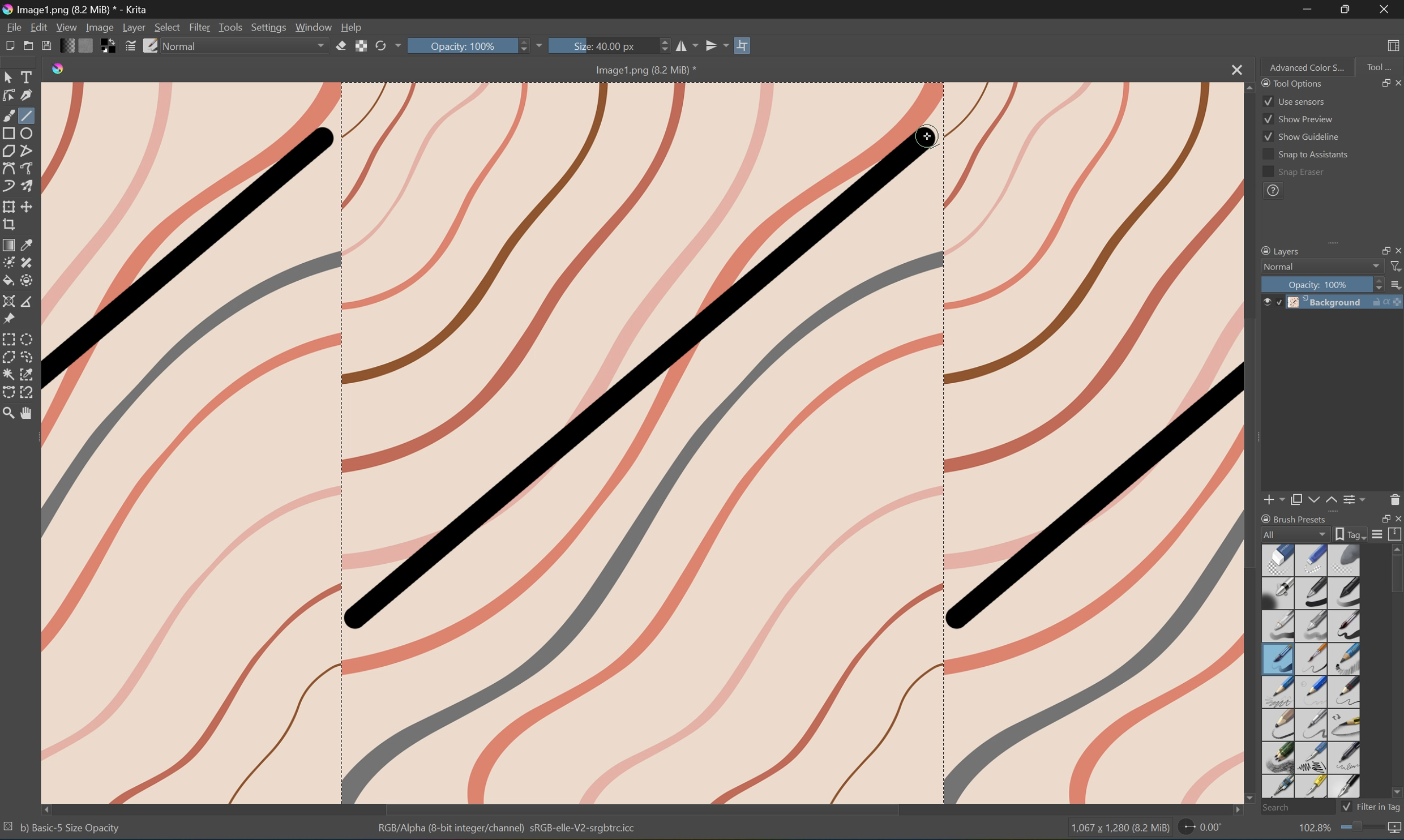 The image size is (1404, 840). What do you see at coordinates (29, 185) in the screenshot?
I see `Multibrush tool` at bounding box center [29, 185].